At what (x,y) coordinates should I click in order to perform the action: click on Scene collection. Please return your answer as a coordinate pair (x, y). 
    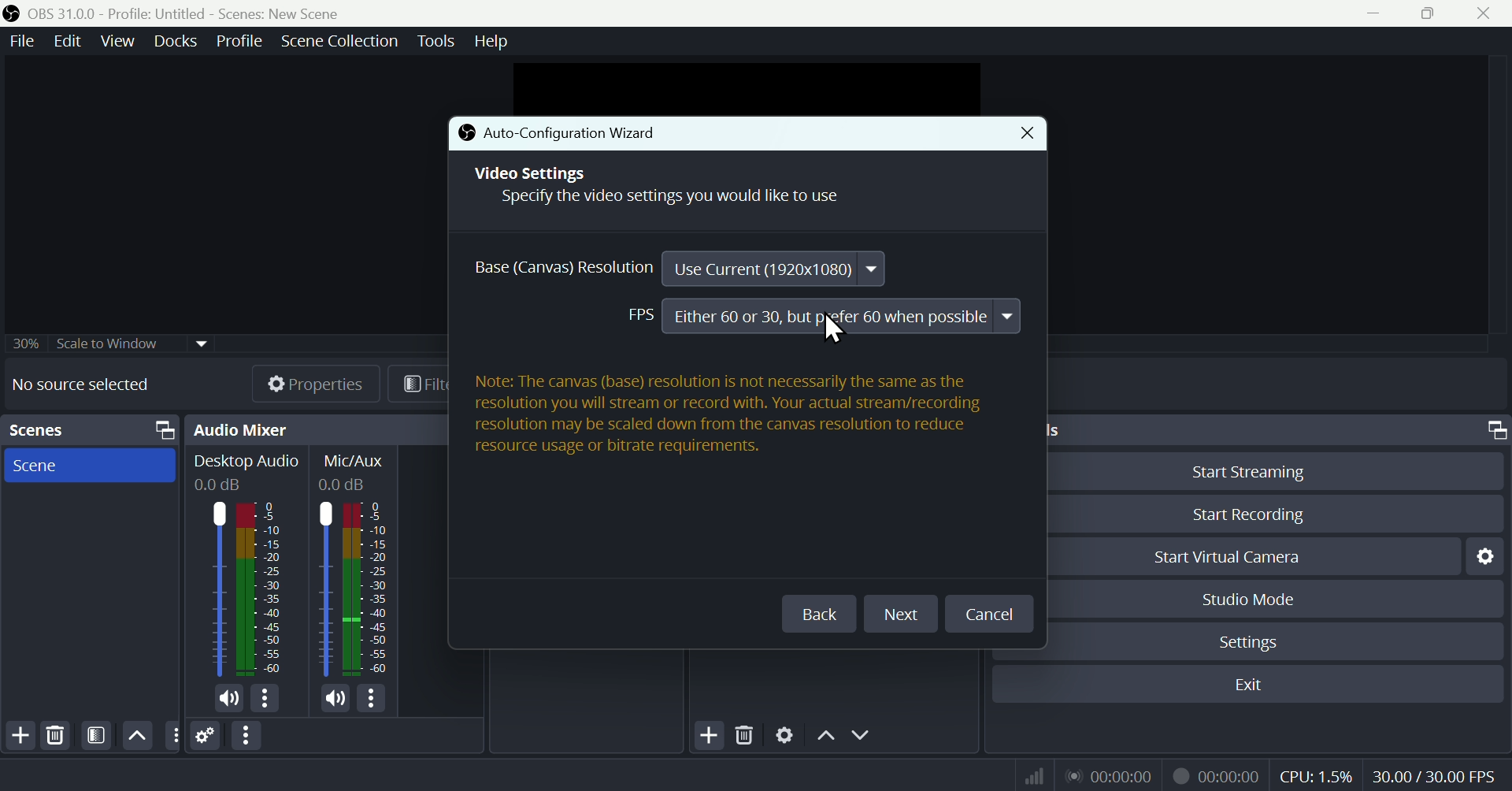
    Looking at the image, I should click on (343, 43).